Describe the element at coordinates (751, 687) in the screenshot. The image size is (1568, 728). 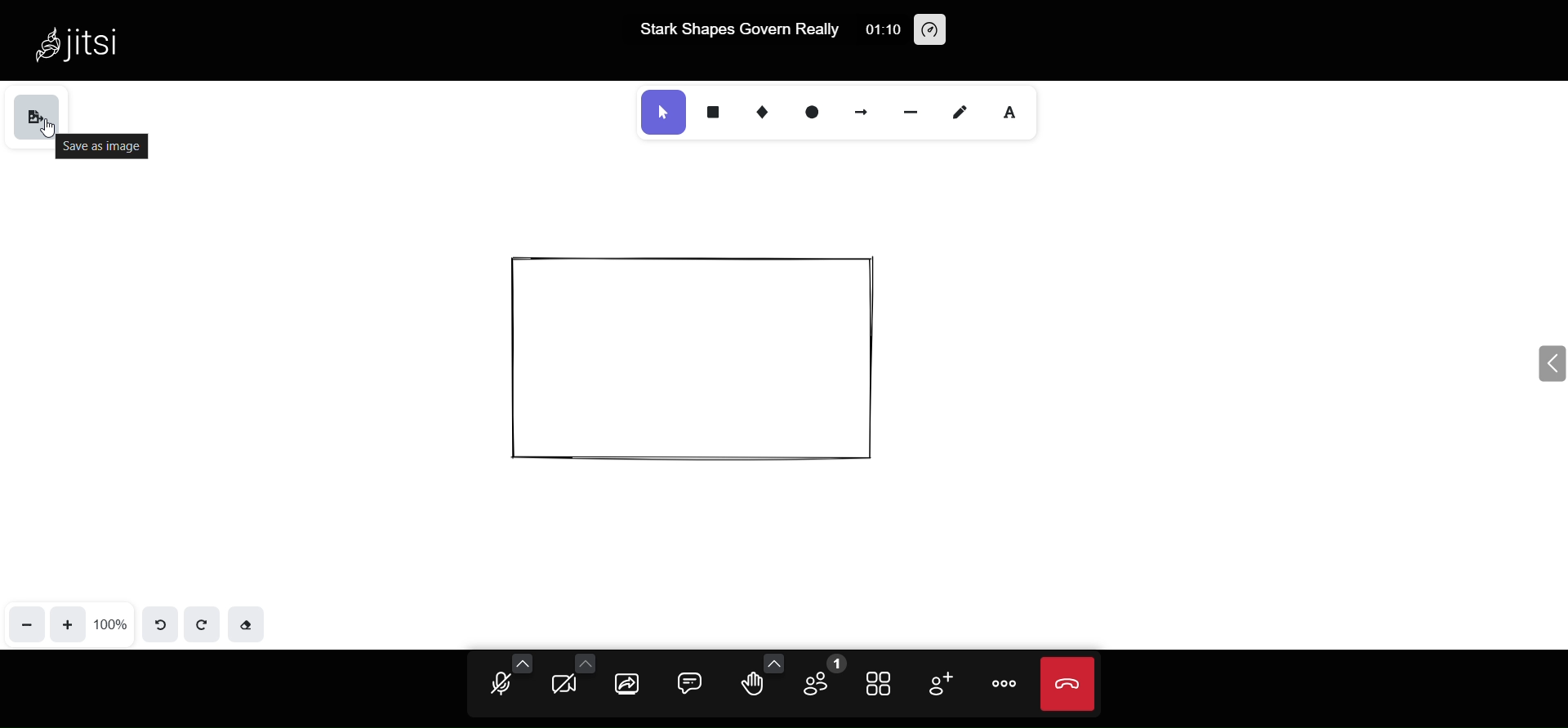
I see `raise hand` at that location.